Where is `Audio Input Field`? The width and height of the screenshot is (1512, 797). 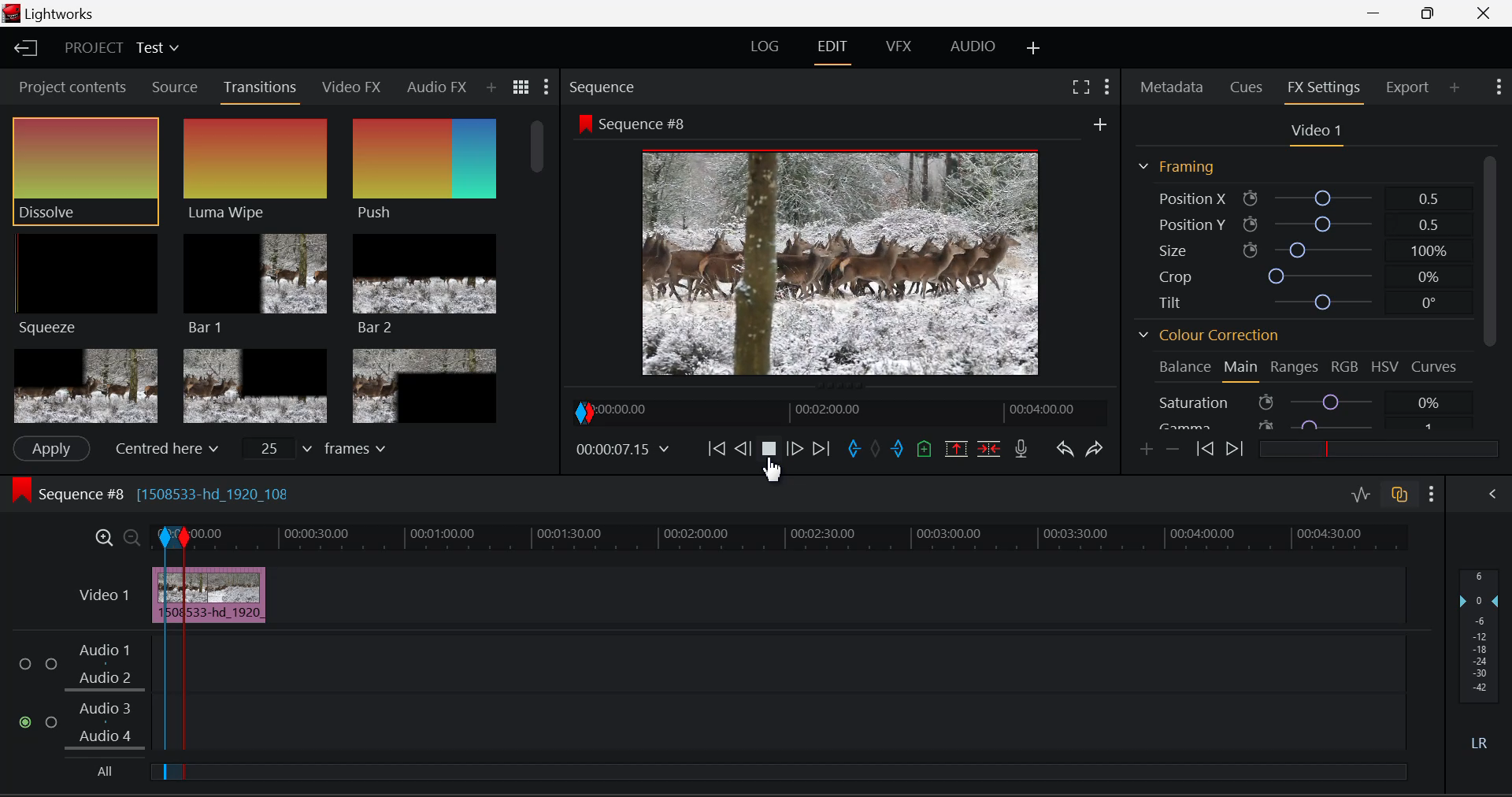 Audio Input Field is located at coordinates (798, 662).